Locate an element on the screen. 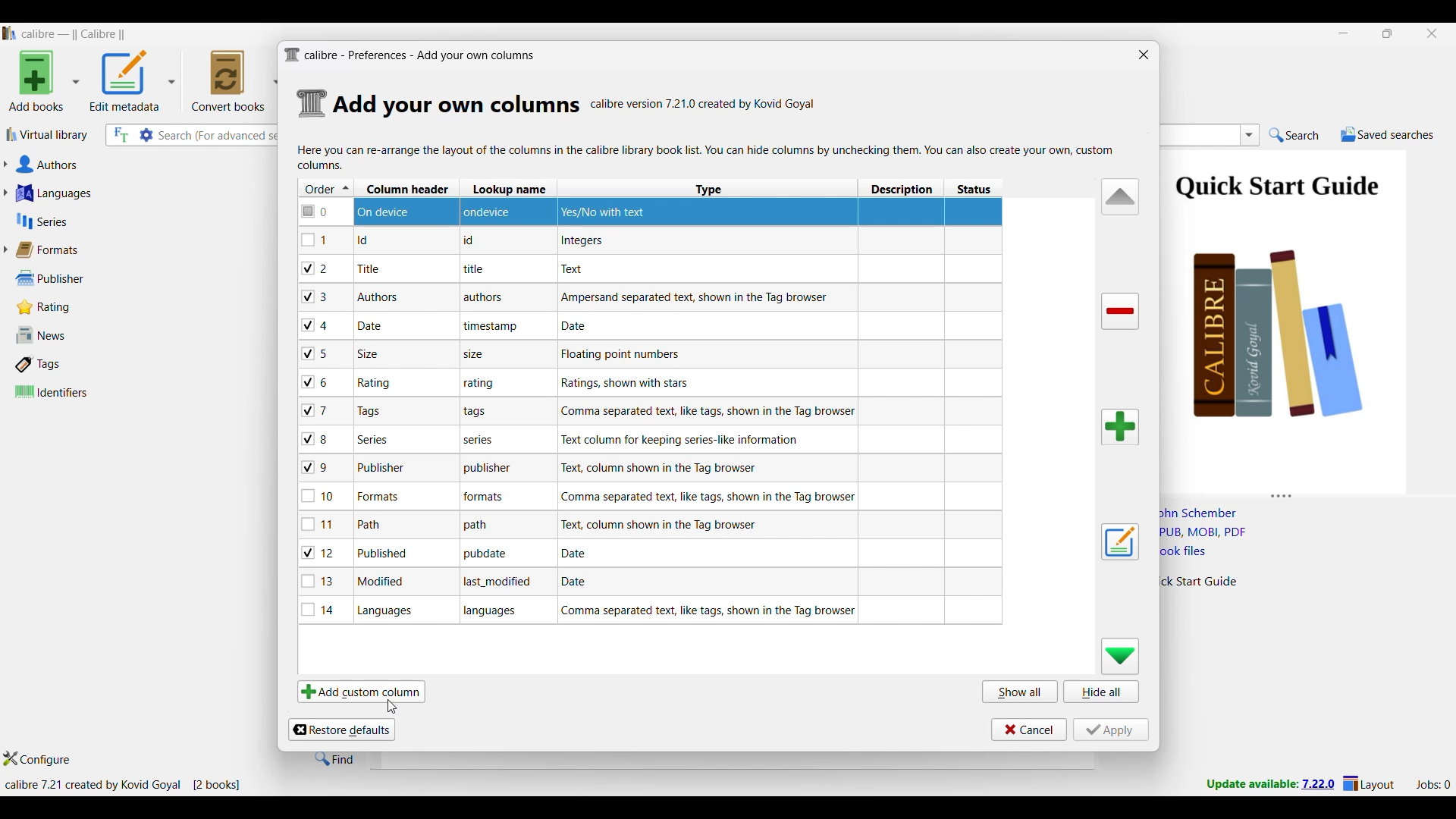  Tags is located at coordinates (71, 364).